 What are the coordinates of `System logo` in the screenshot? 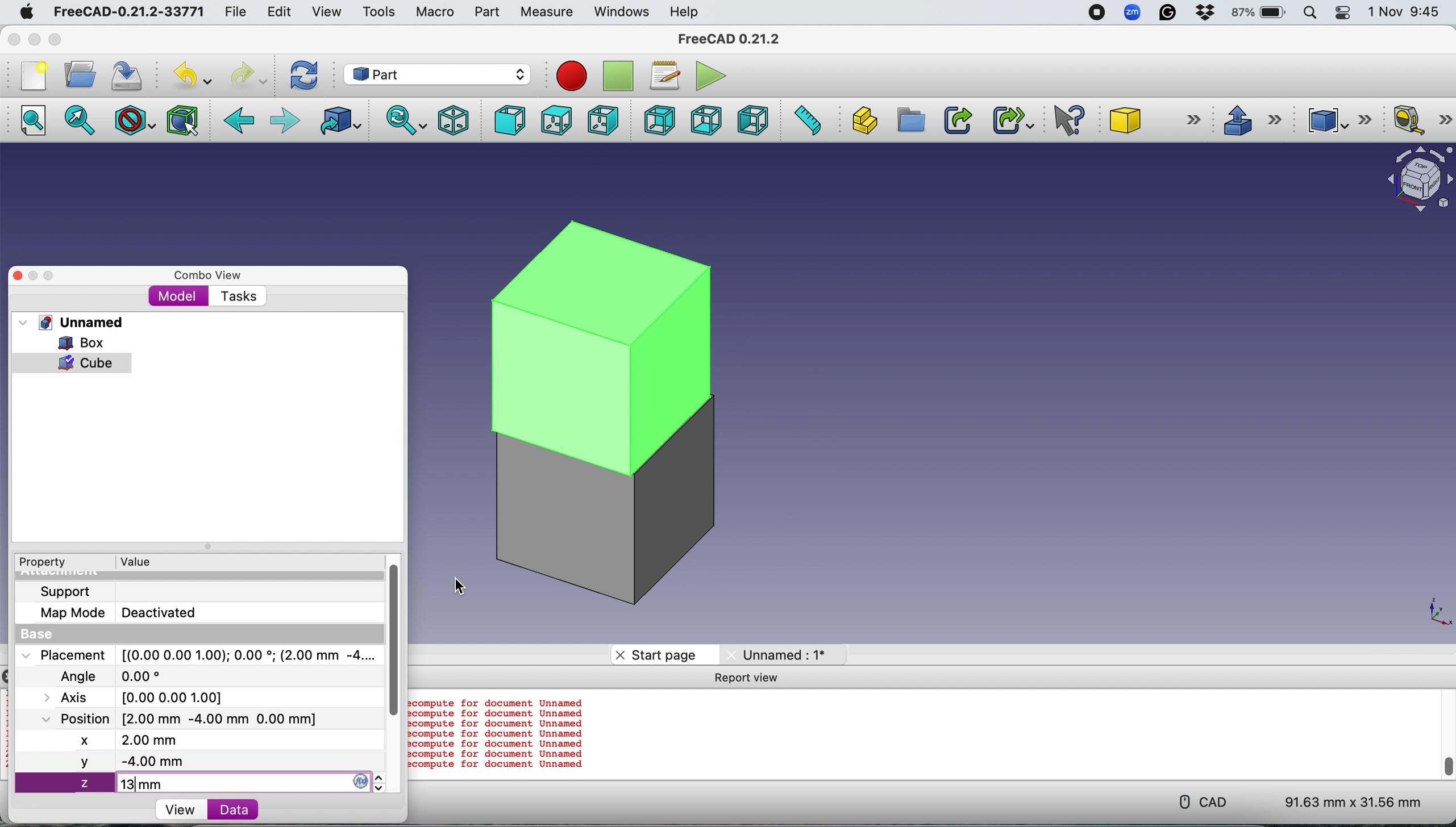 It's located at (25, 12).